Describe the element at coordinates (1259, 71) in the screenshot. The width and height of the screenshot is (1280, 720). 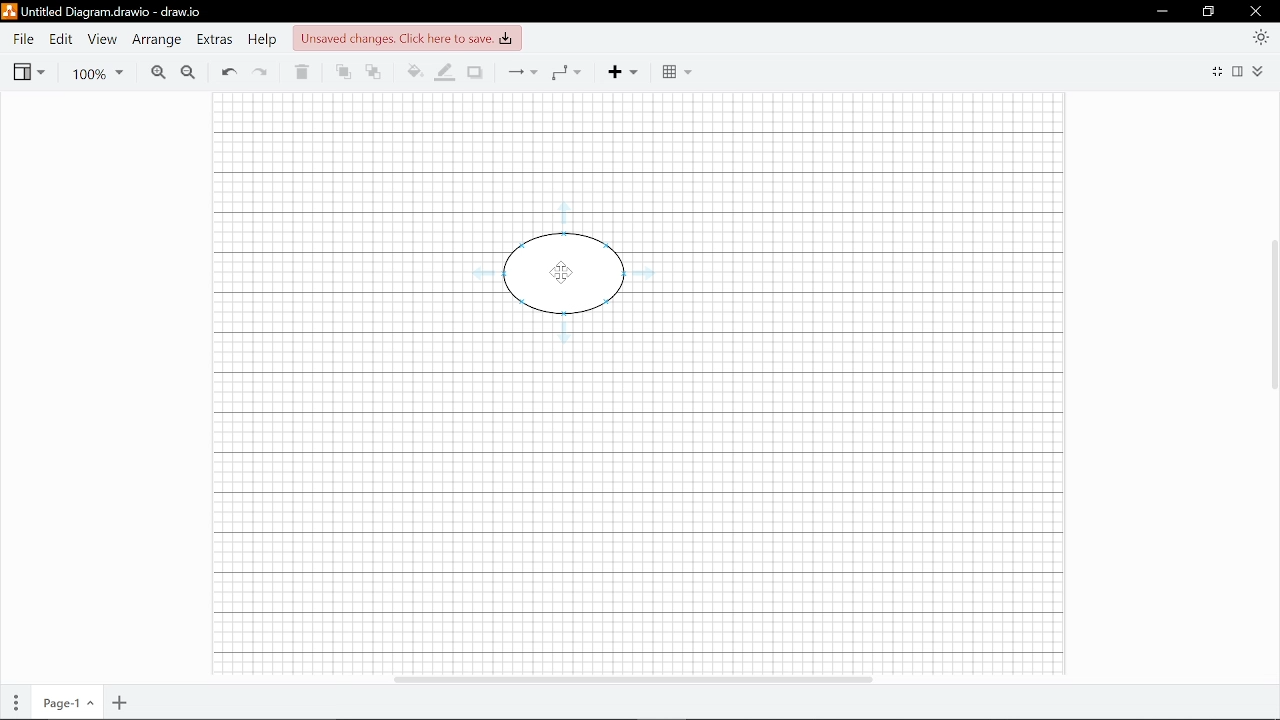
I see `Expand/collapse` at that location.